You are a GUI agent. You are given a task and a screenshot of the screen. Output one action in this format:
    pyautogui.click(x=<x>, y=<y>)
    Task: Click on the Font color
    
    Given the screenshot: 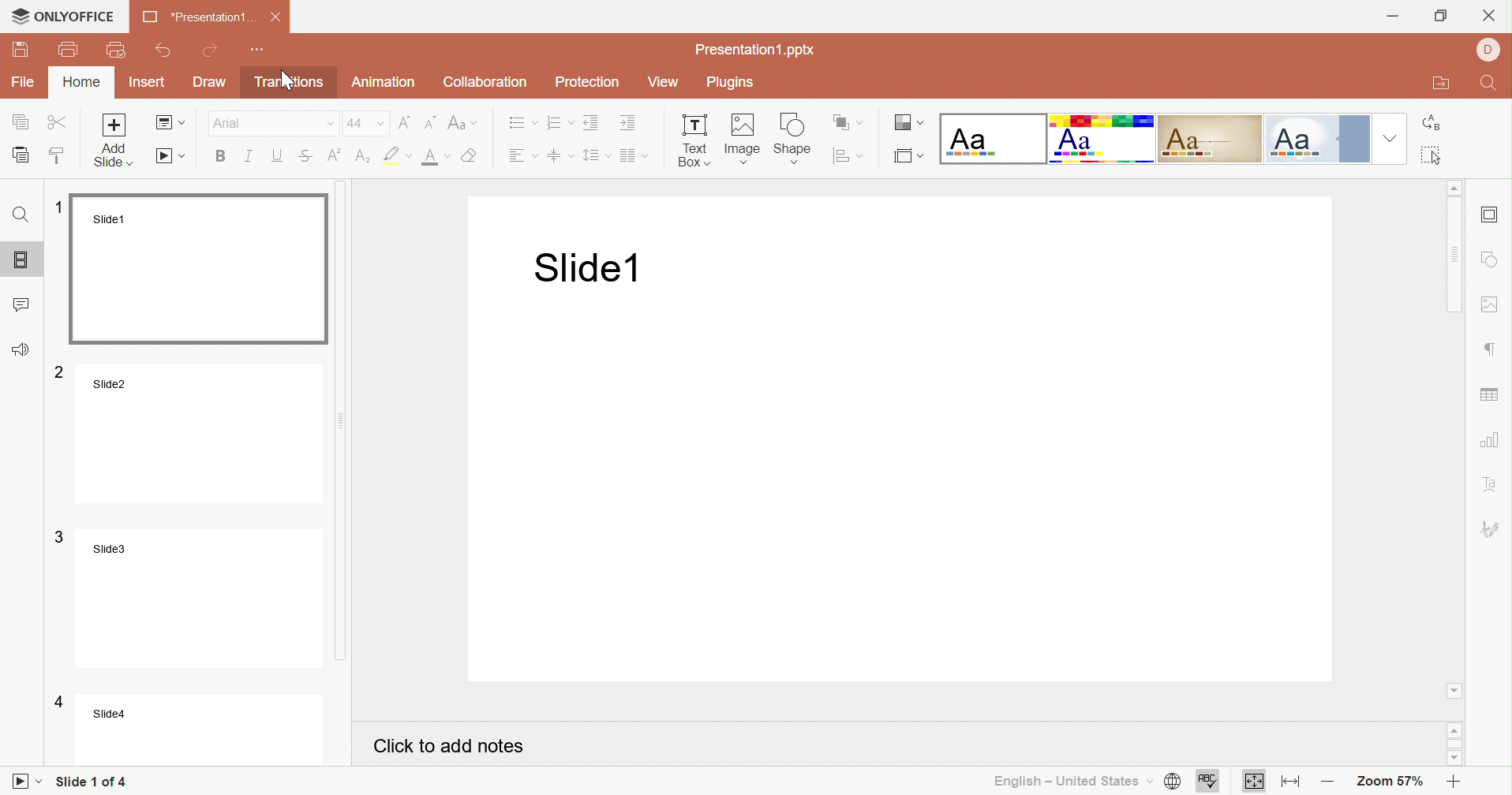 What is the action you would take?
    pyautogui.click(x=435, y=159)
    